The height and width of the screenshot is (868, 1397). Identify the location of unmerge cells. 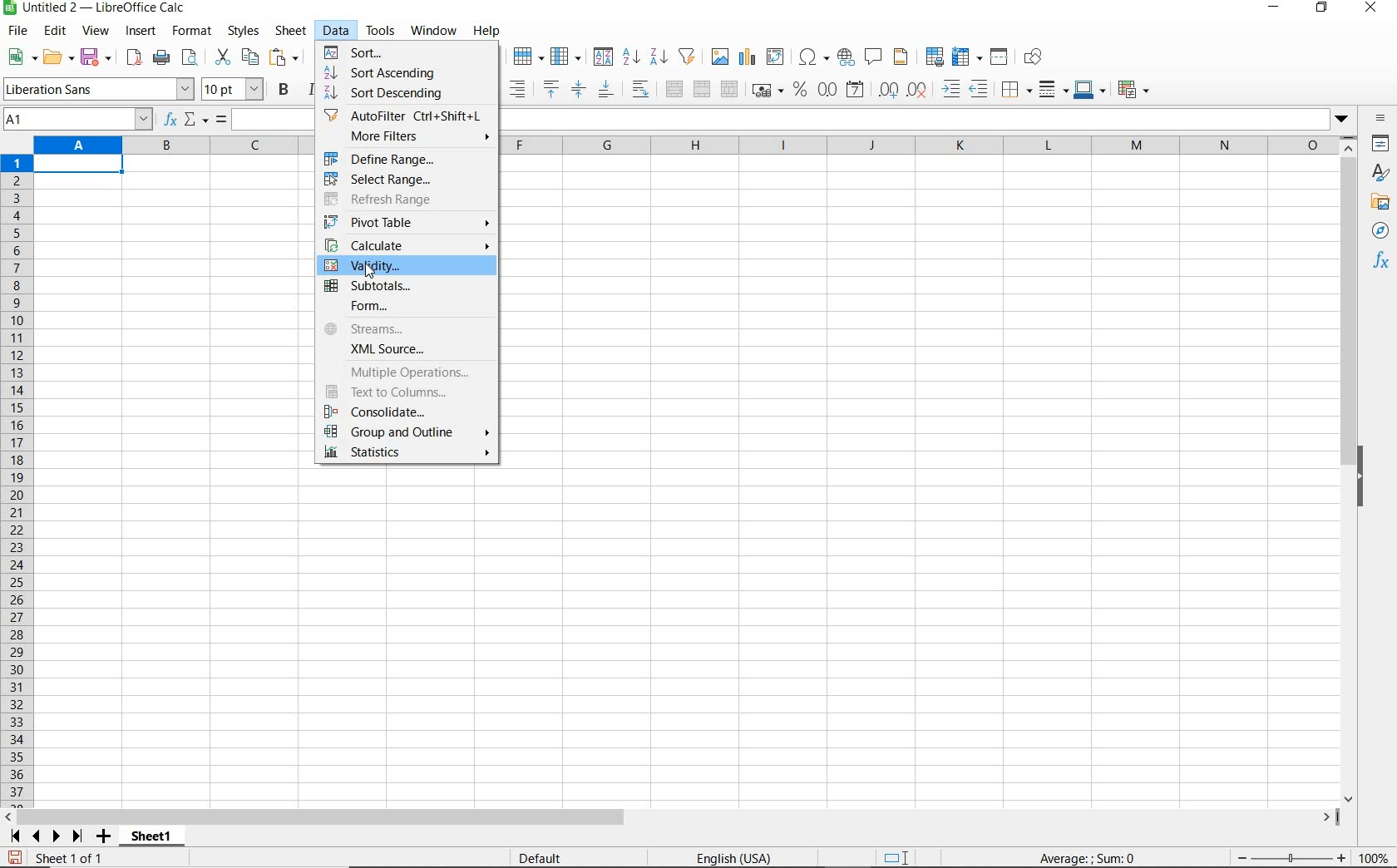
(729, 89).